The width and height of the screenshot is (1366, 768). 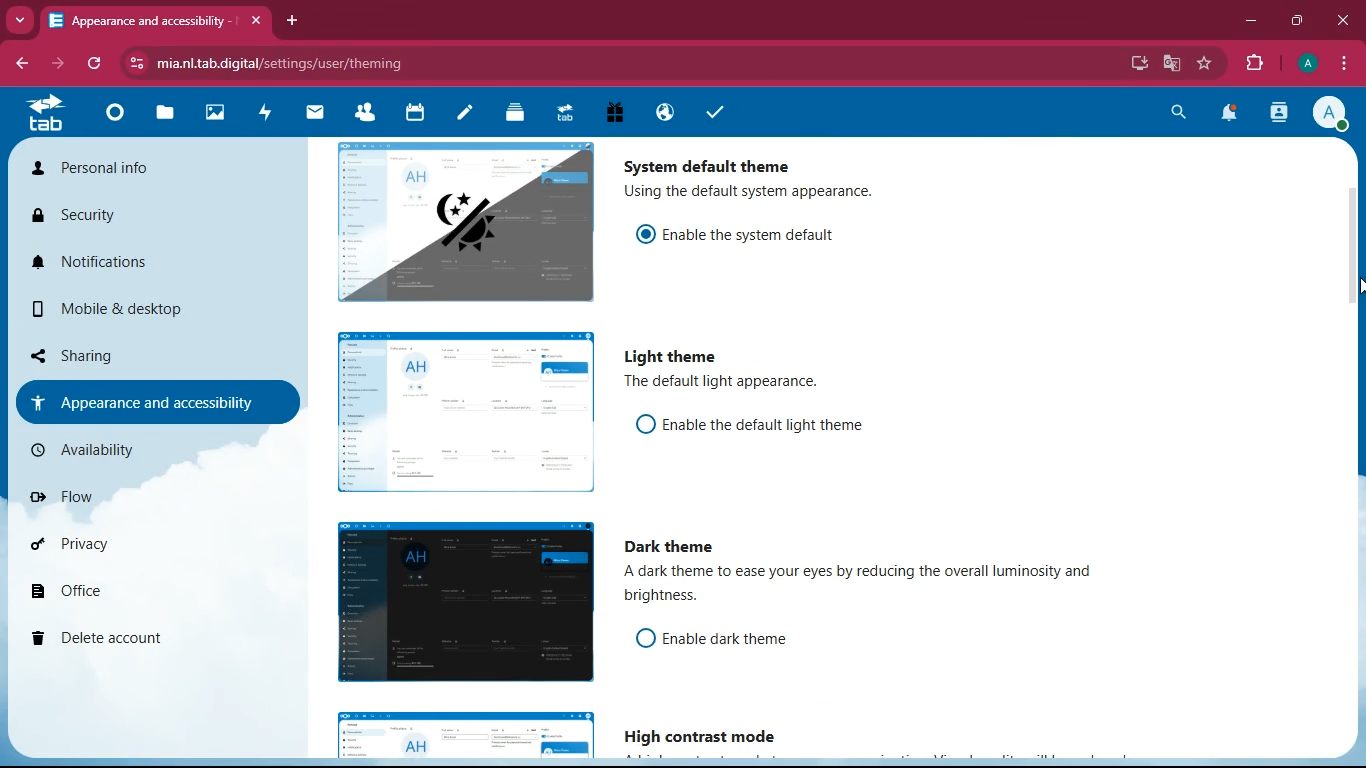 I want to click on off, so click(x=645, y=638).